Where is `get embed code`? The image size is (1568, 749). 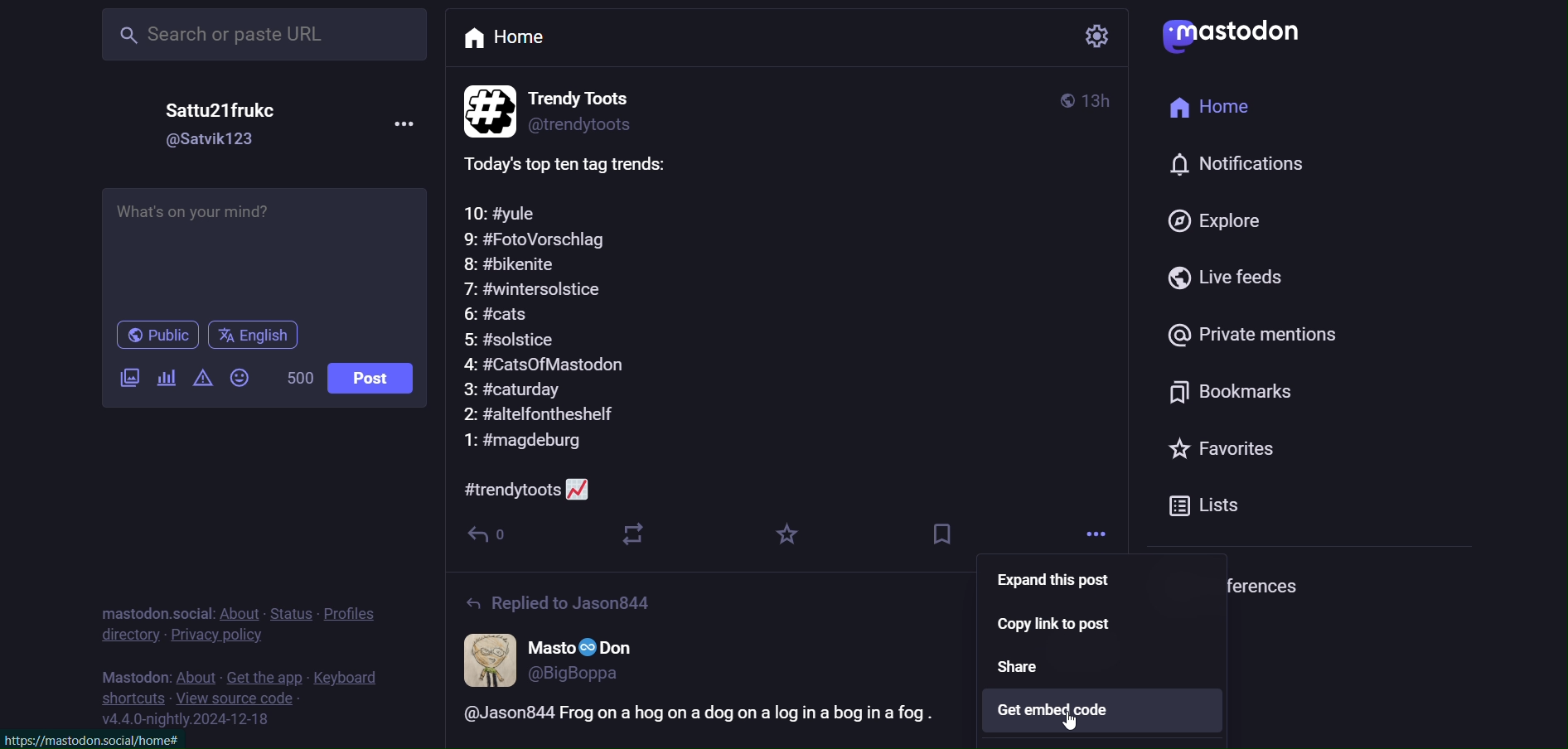 get embed code is located at coordinates (1100, 713).